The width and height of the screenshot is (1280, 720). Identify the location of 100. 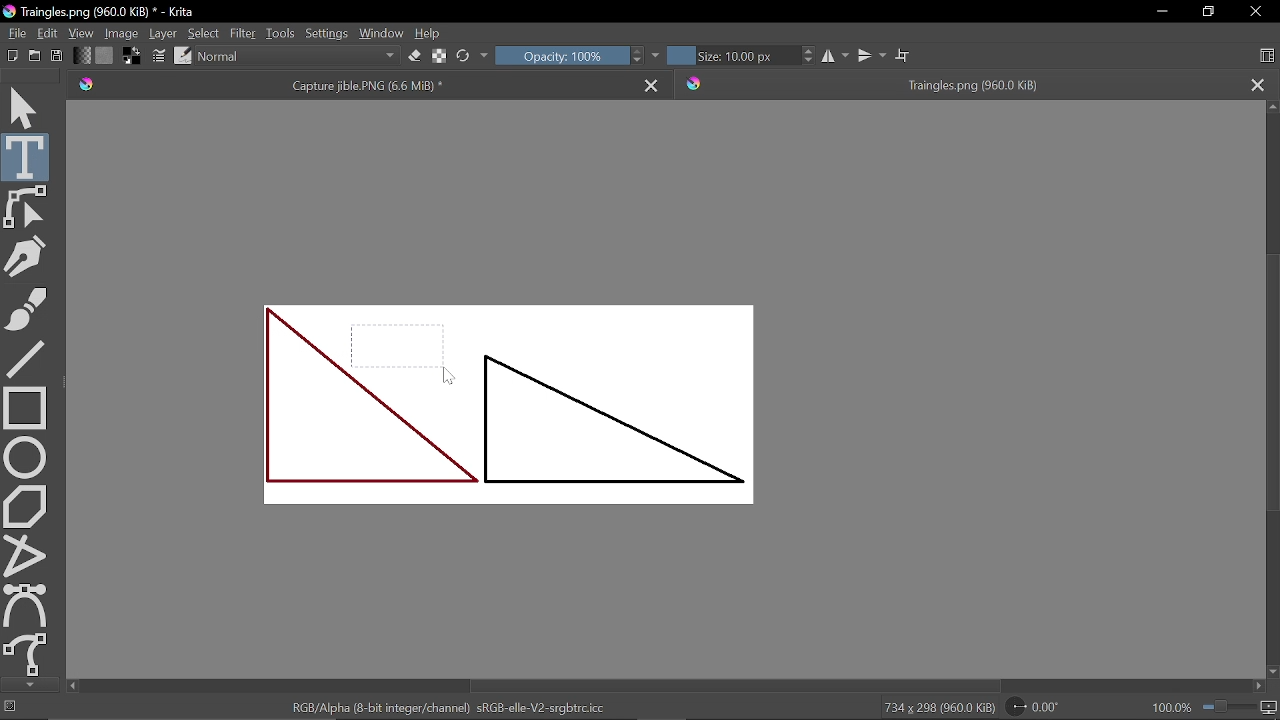
(1170, 710).